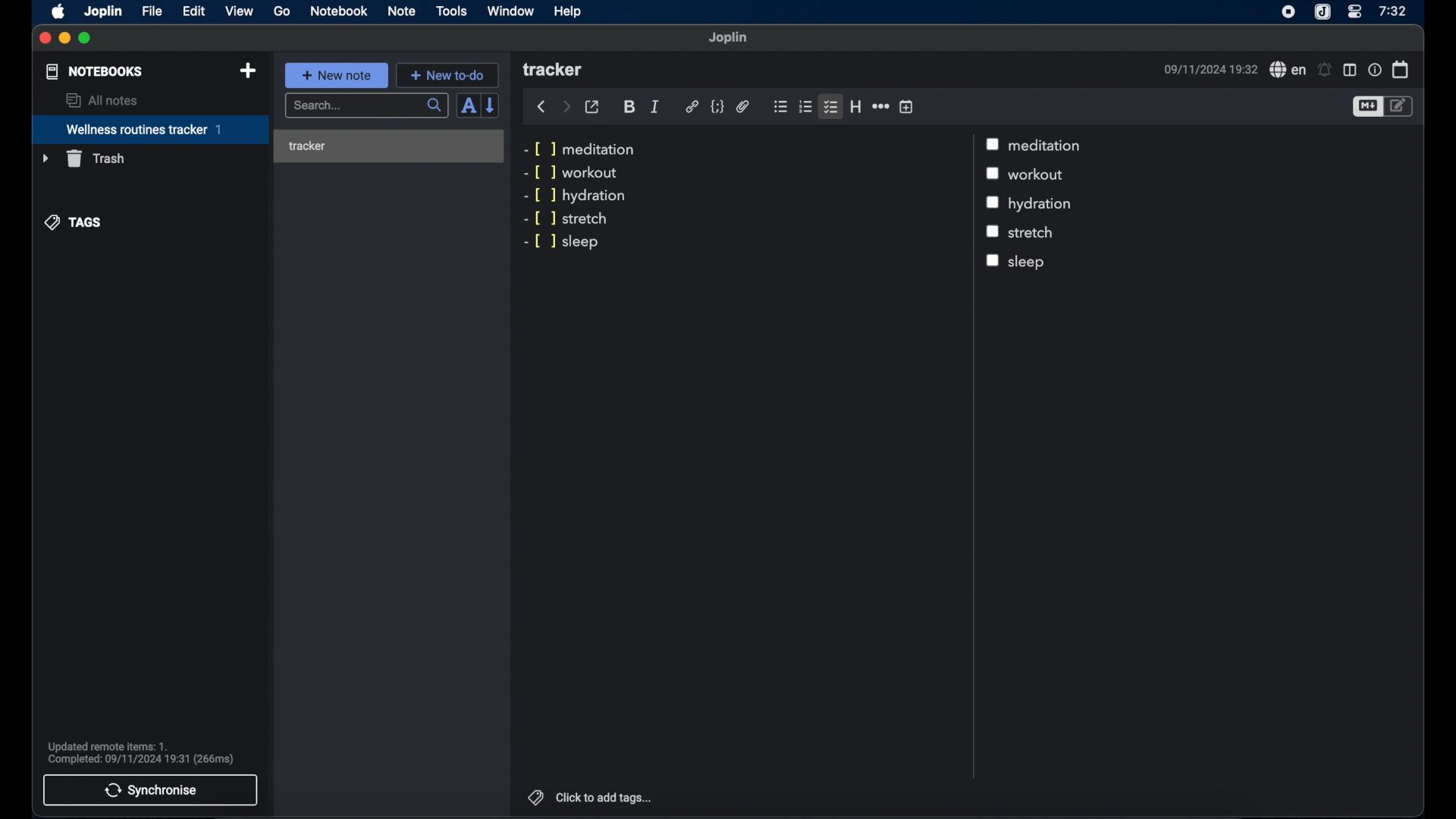 This screenshot has width=1456, height=819. I want to click on workout, so click(1041, 175).